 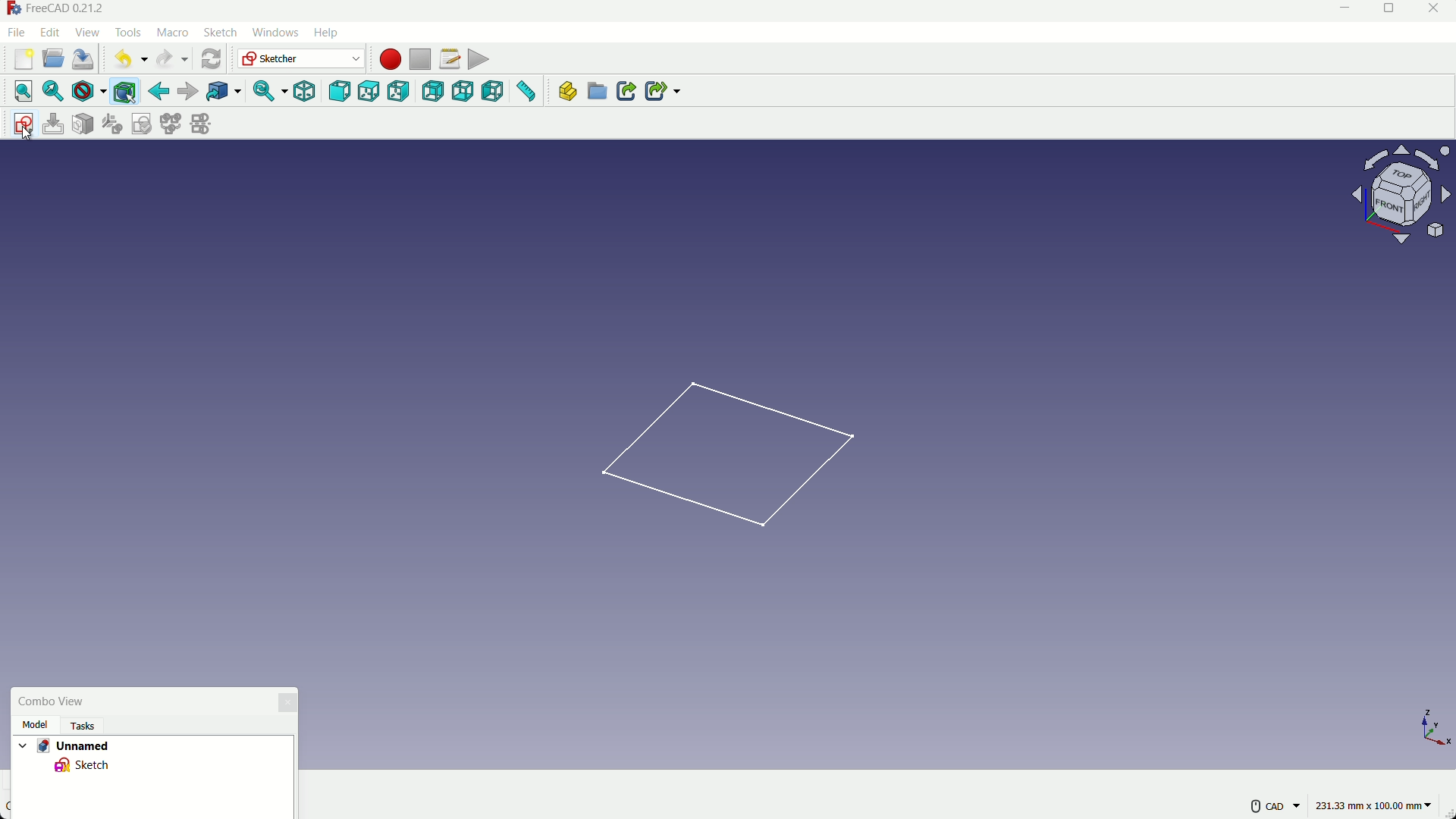 I want to click on create link, so click(x=626, y=91).